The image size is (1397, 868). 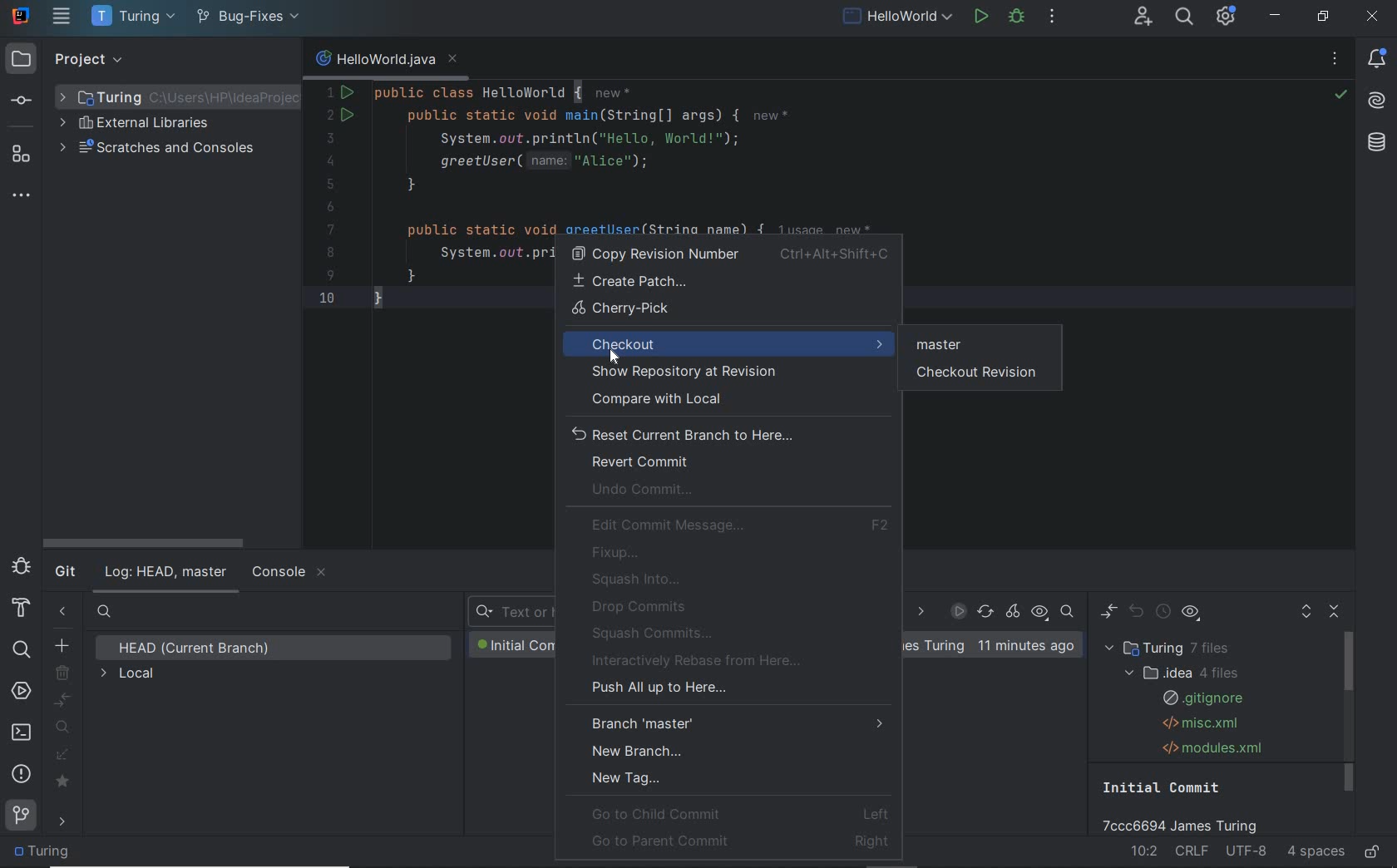 I want to click on interactively rebase from here, so click(x=701, y=661).